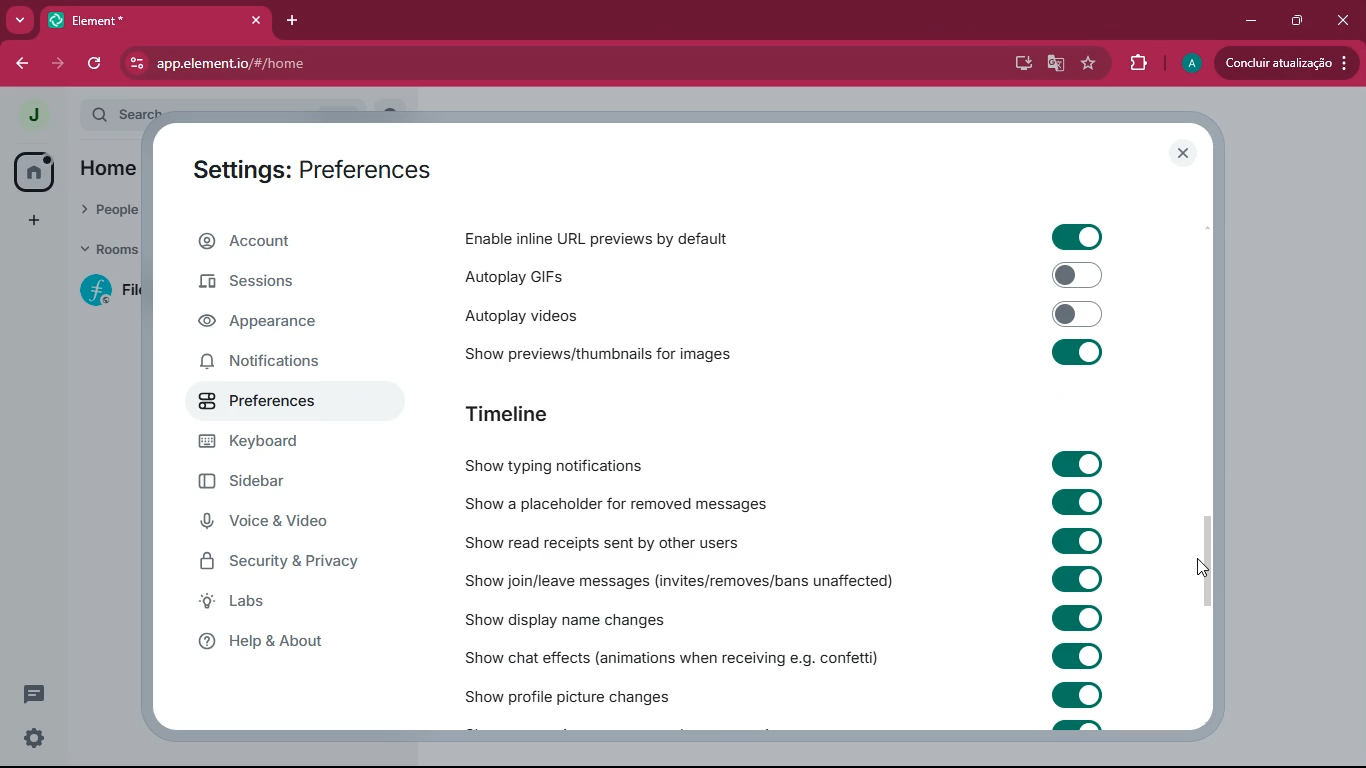 The width and height of the screenshot is (1366, 768). Describe the element at coordinates (120, 114) in the screenshot. I see `search` at that location.